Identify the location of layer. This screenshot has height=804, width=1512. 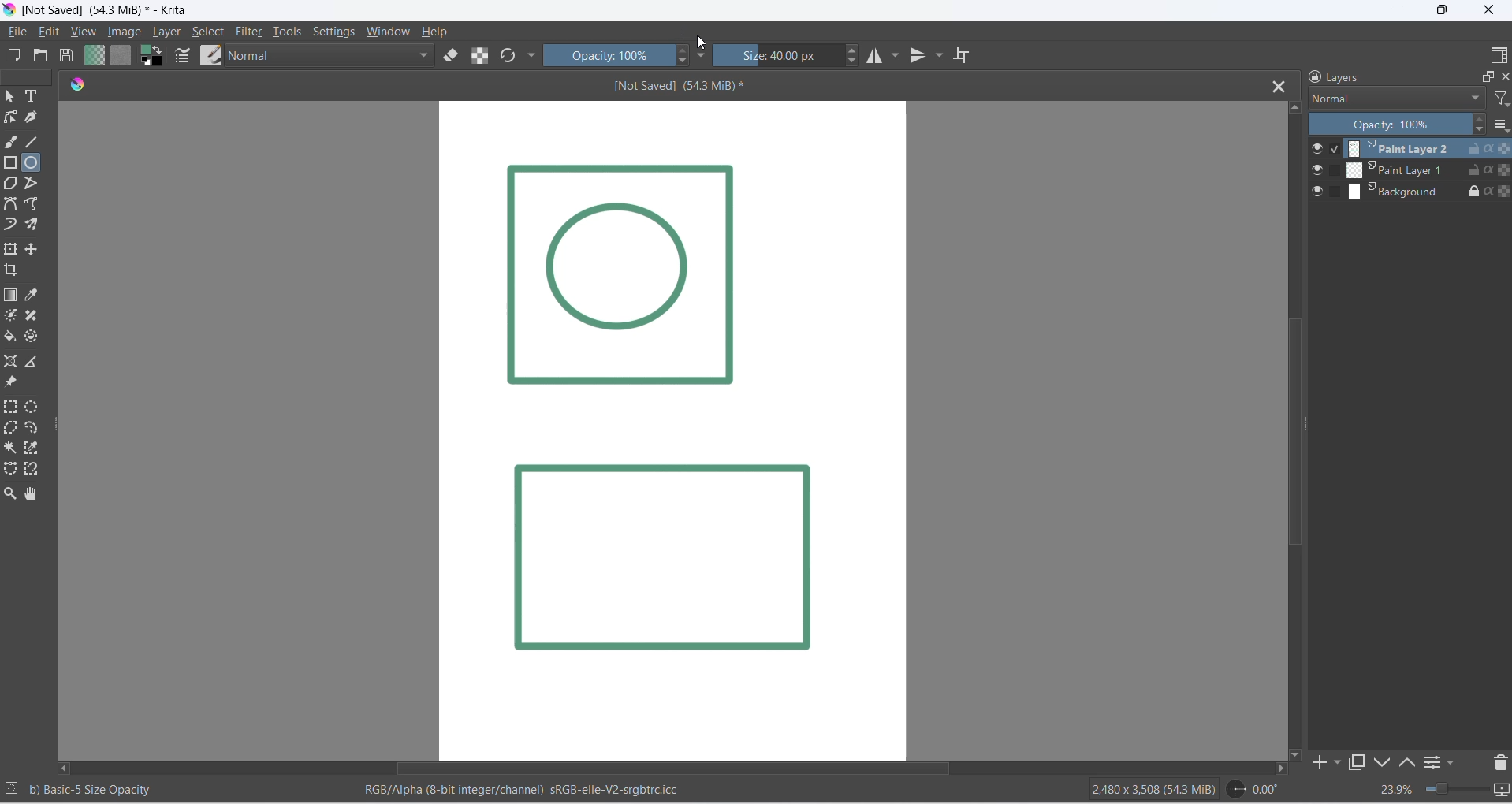
(173, 33).